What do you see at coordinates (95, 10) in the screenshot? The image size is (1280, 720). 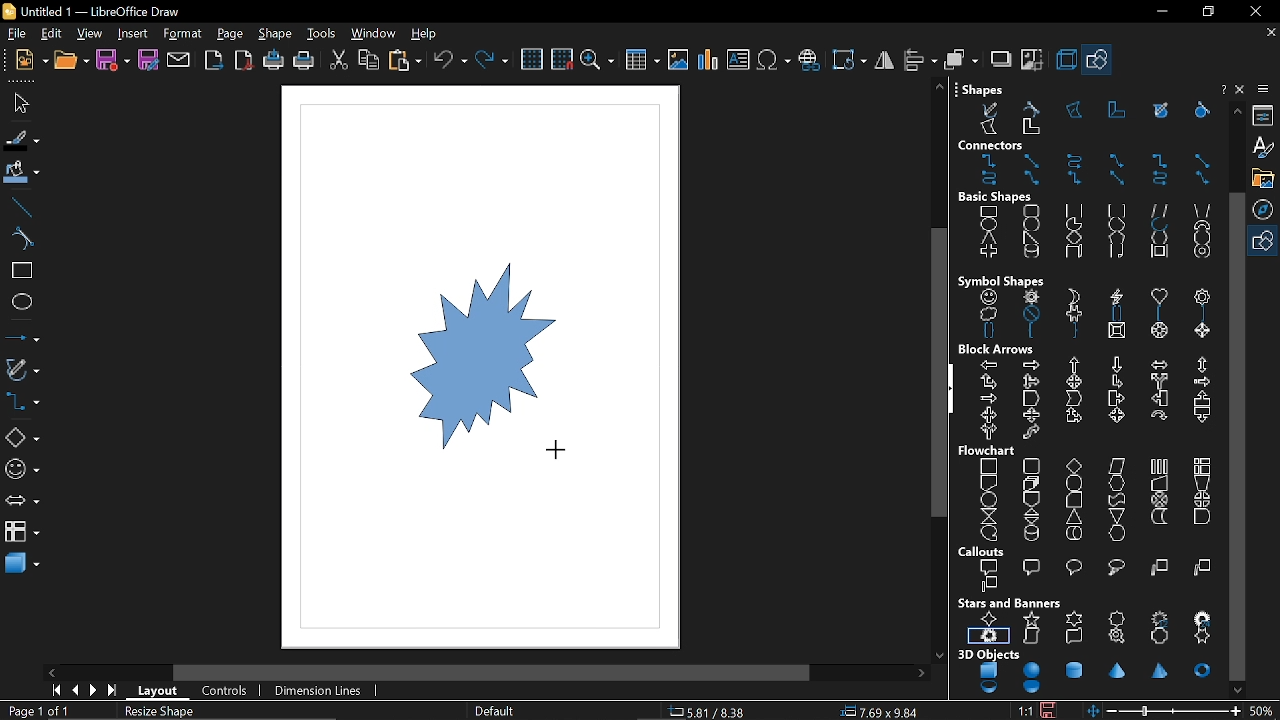 I see `Untitled 1 - LibreOffice Draw` at bounding box center [95, 10].